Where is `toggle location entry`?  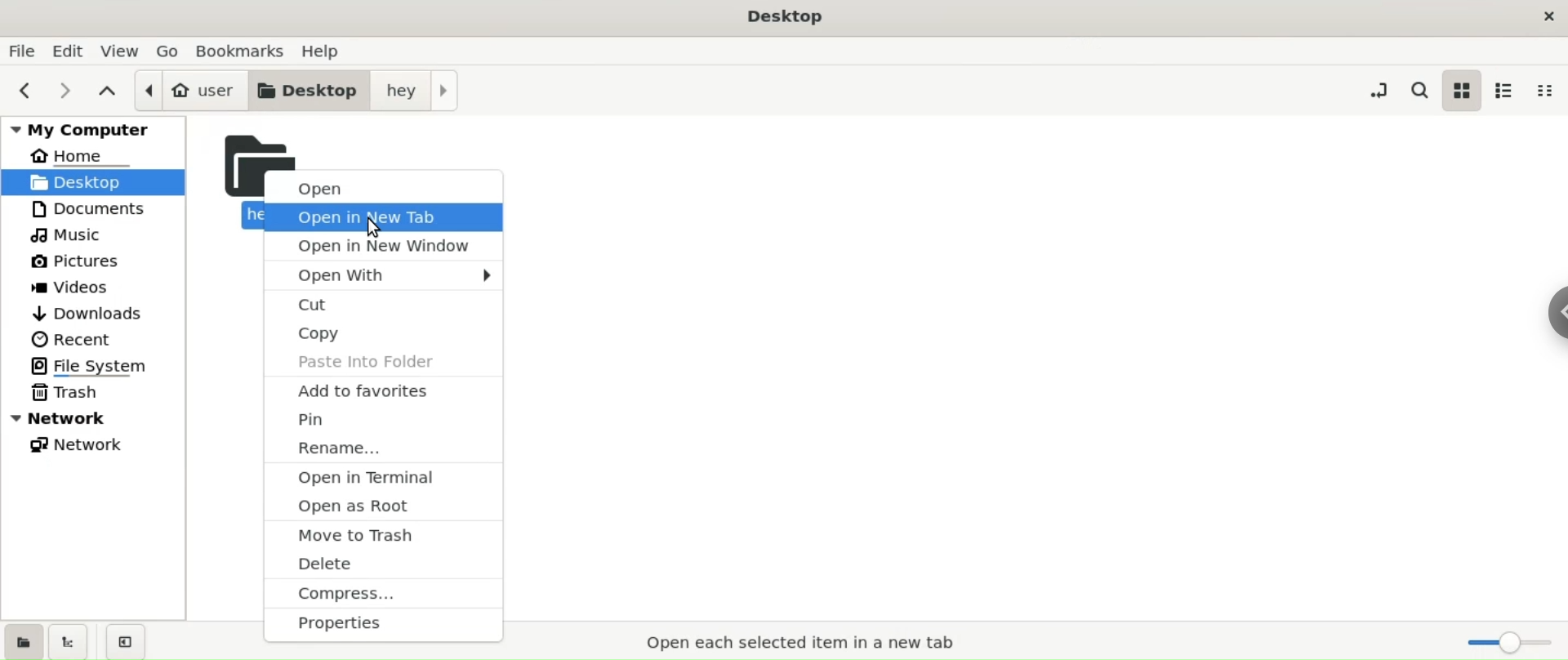 toggle location entry is located at coordinates (1375, 90).